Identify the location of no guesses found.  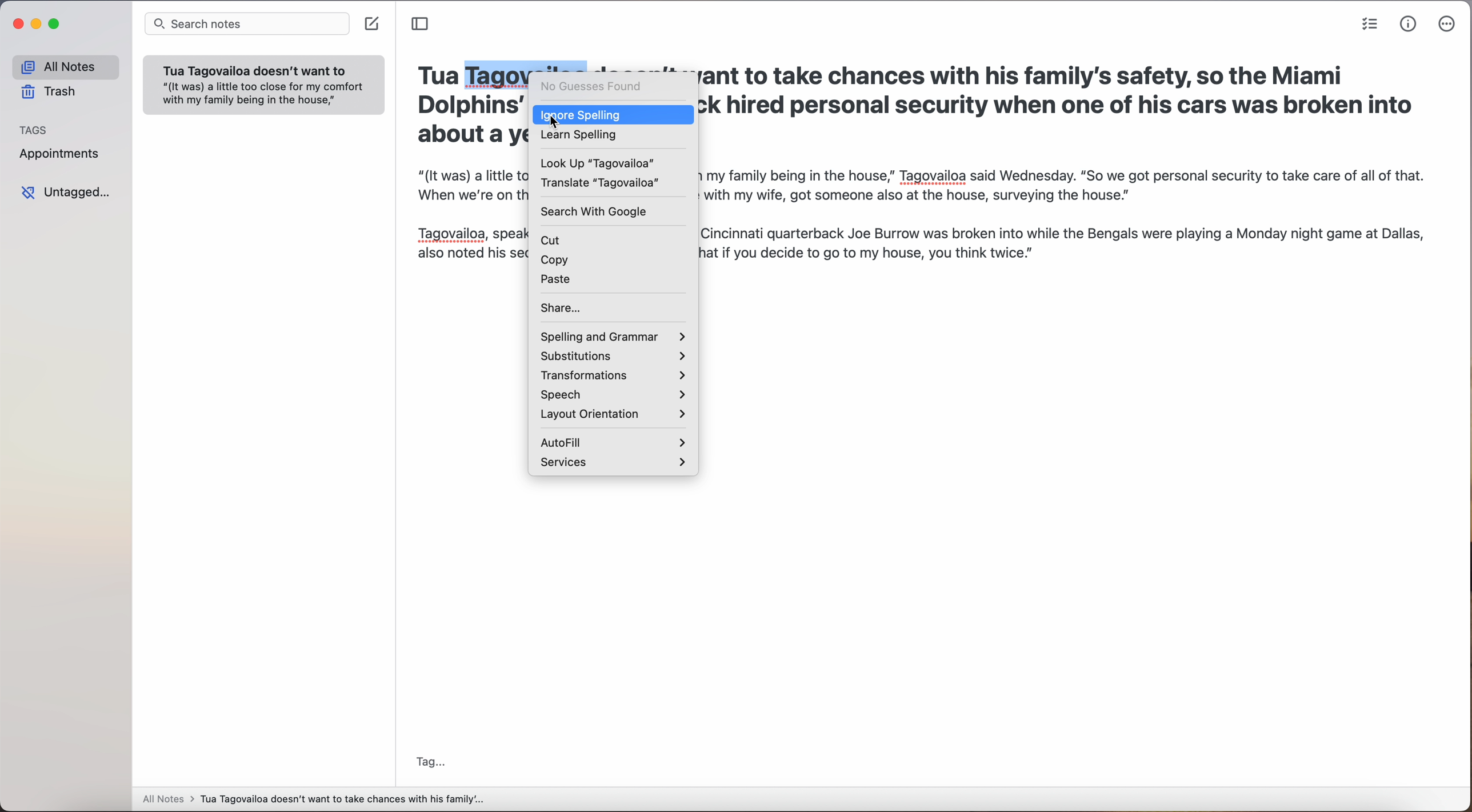
(597, 87).